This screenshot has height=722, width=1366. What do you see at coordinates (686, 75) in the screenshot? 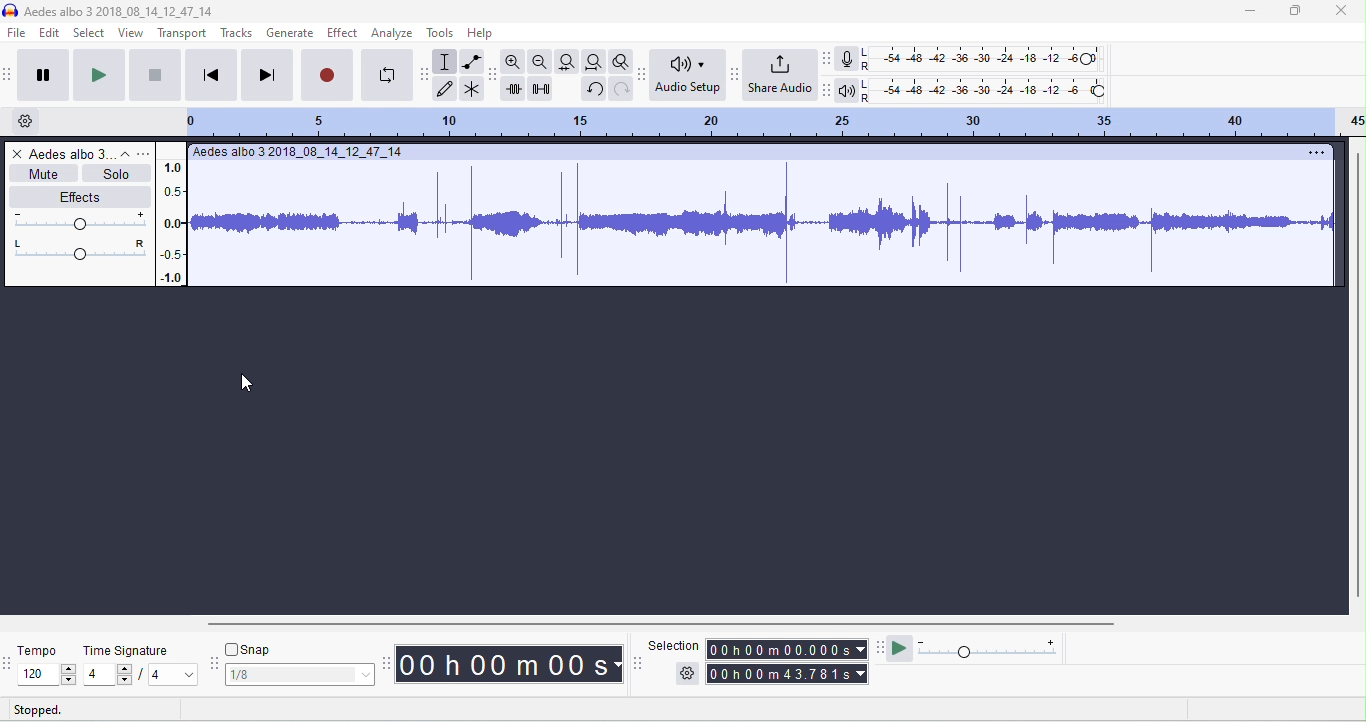
I see `audio set up` at bounding box center [686, 75].